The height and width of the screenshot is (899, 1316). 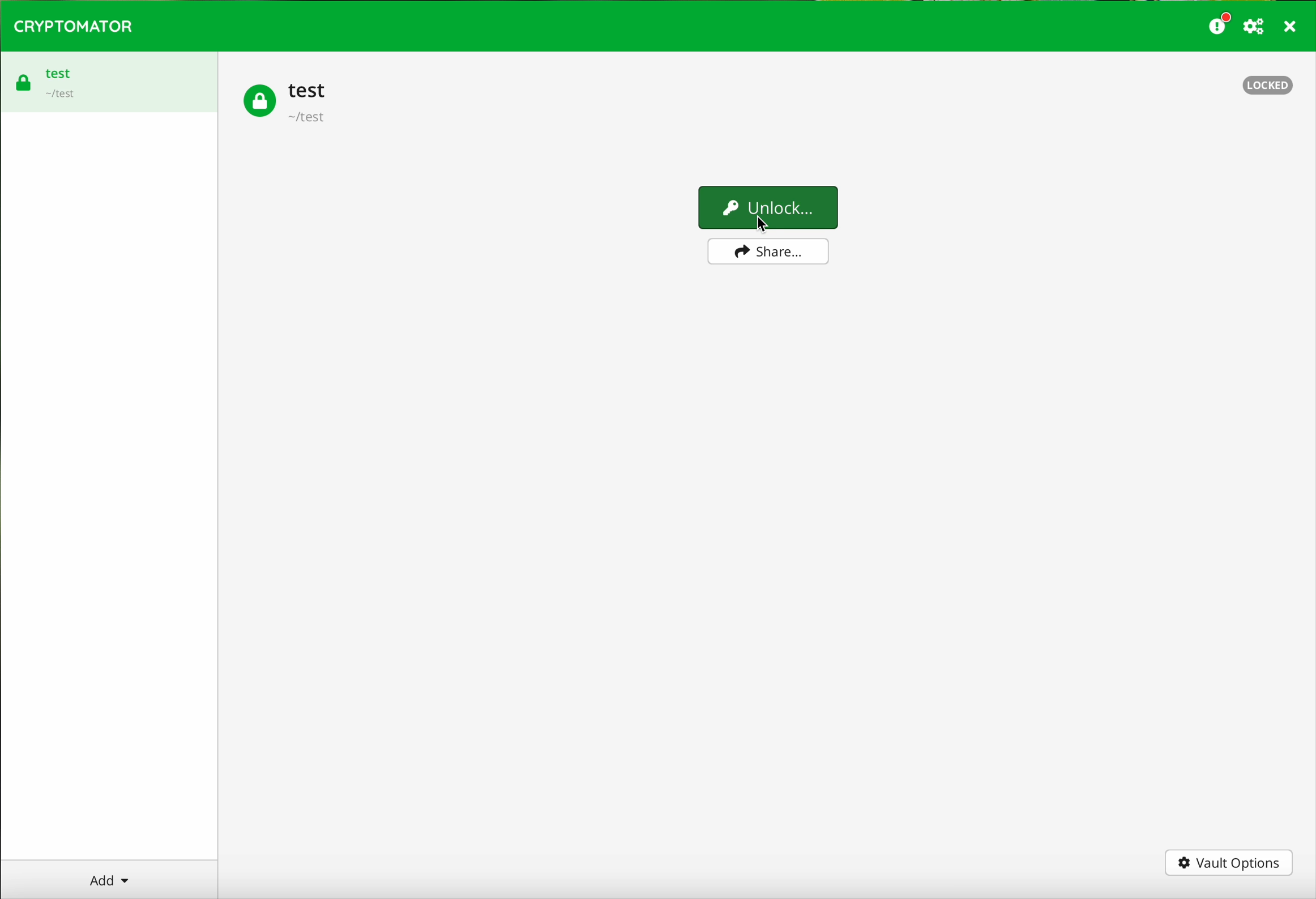 I want to click on locked, so click(x=1268, y=86).